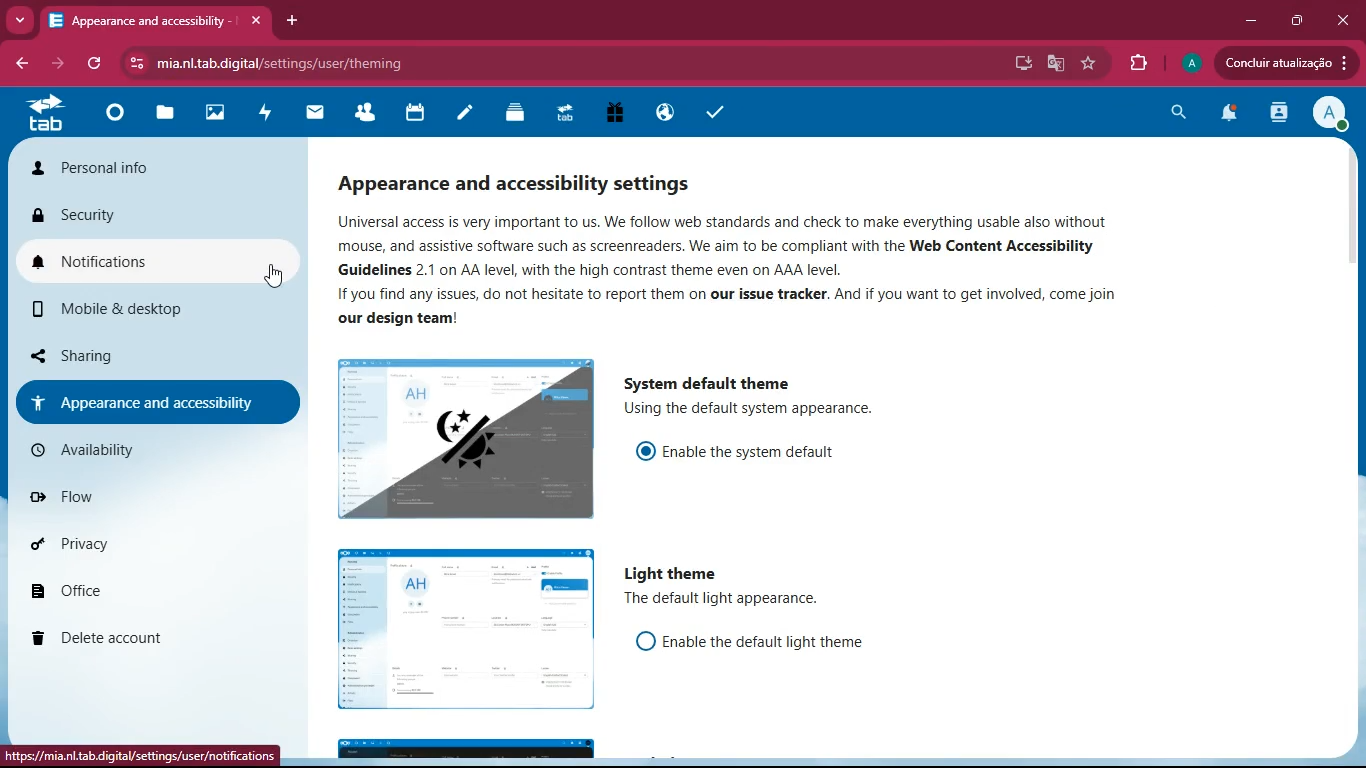 The image size is (1366, 768). Describe the element at coordinates (814, 410) in the screenshot. I see `description` at that location.